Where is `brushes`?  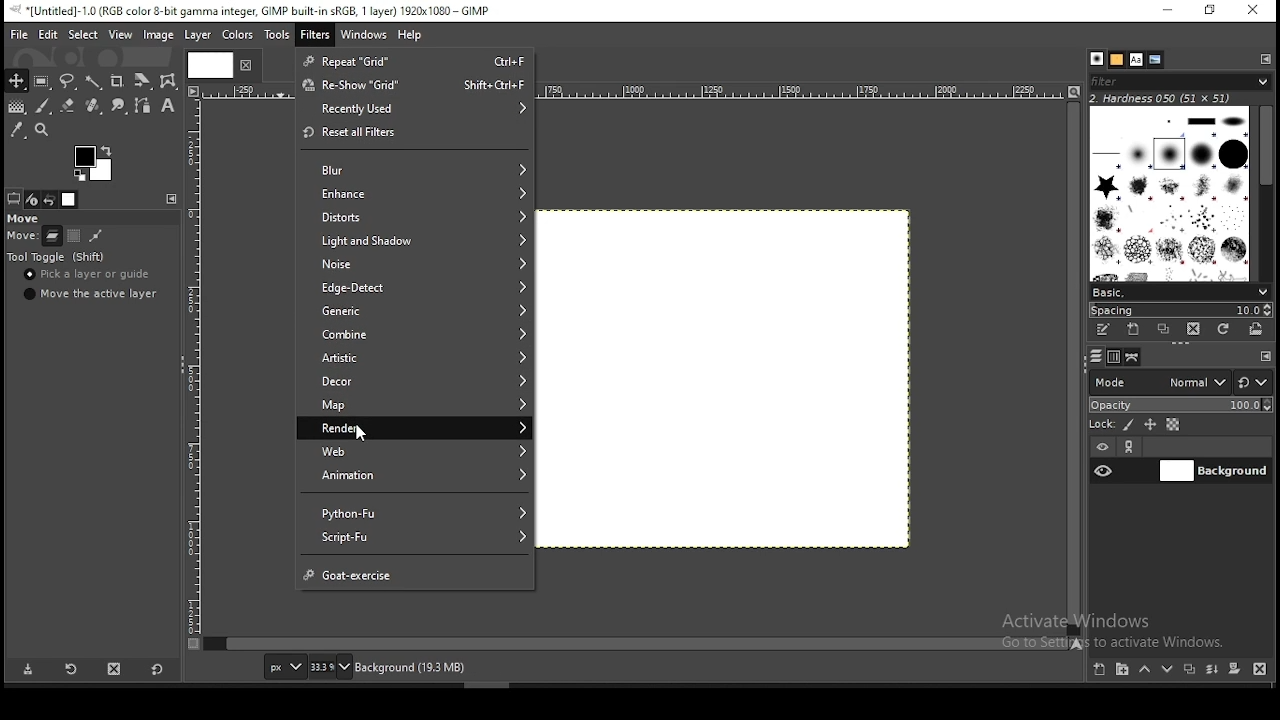
brushes is located at coordinates (1168, 194).